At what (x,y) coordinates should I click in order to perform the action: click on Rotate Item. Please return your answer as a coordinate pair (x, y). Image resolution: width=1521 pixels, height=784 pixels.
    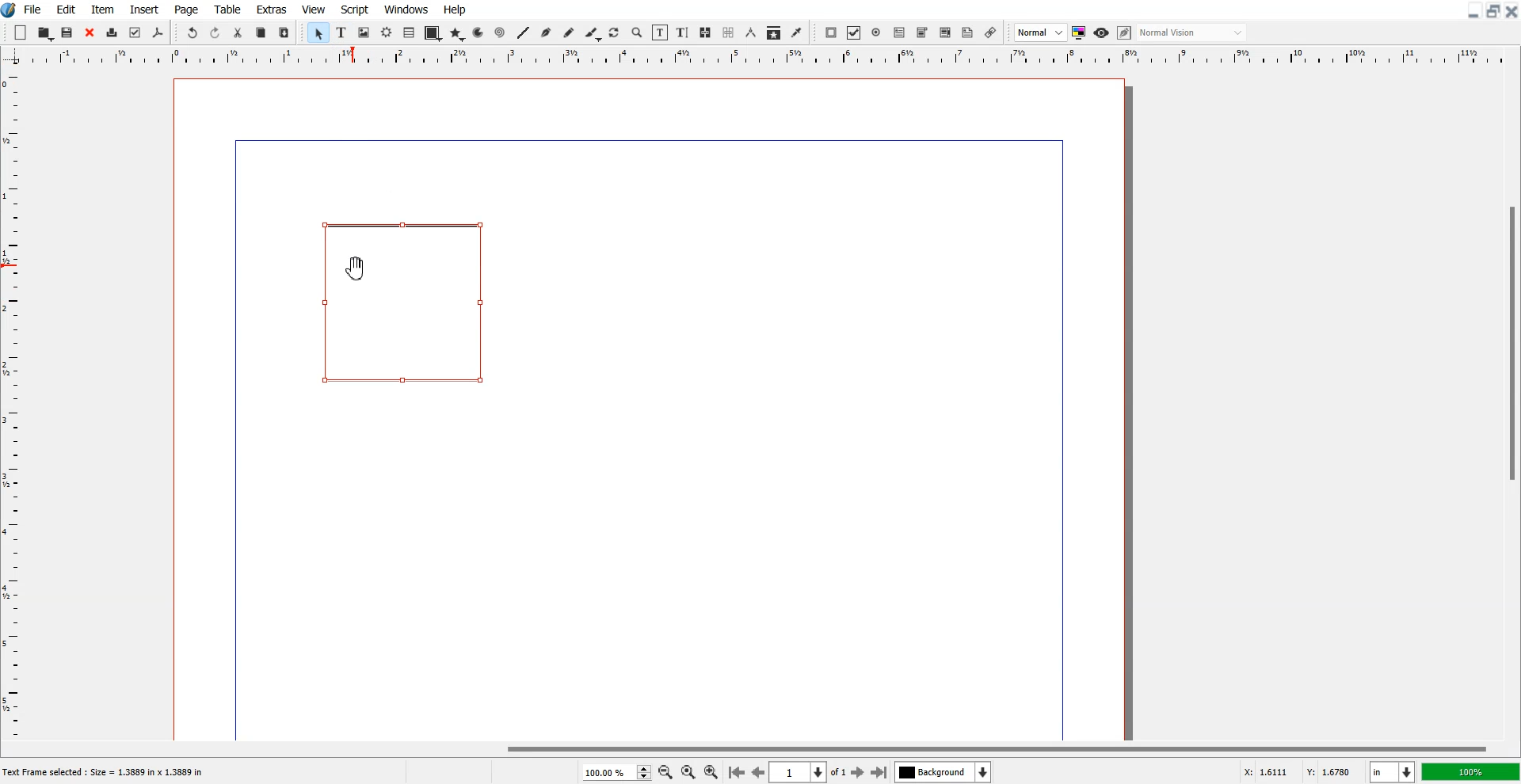
    Looking at the image, I should click on (616, 33).